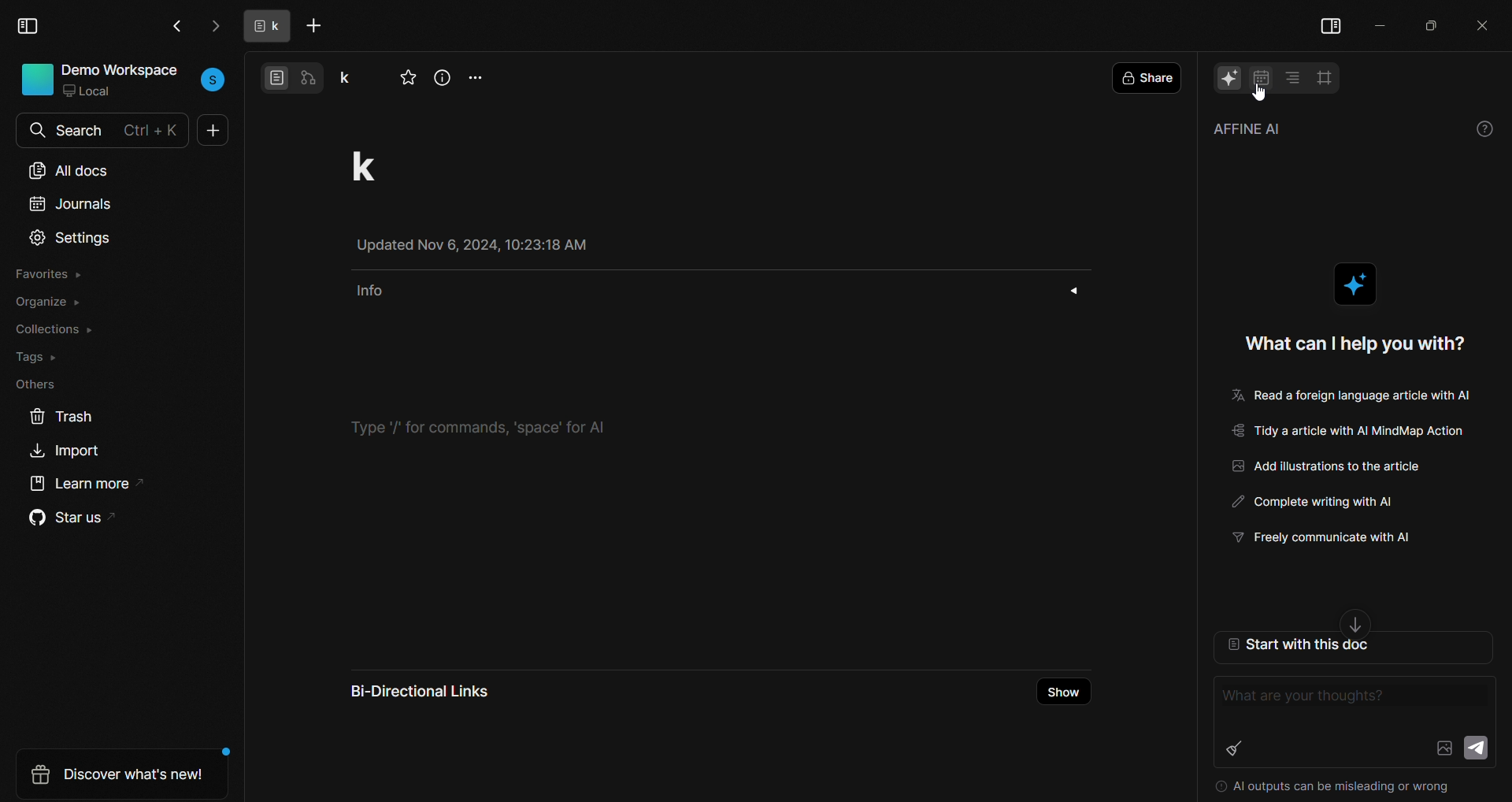 This screenshot has height=802, width=1512. Describe the element at coordinates (55, 329) in the screenshot. I see `collections` at that location.